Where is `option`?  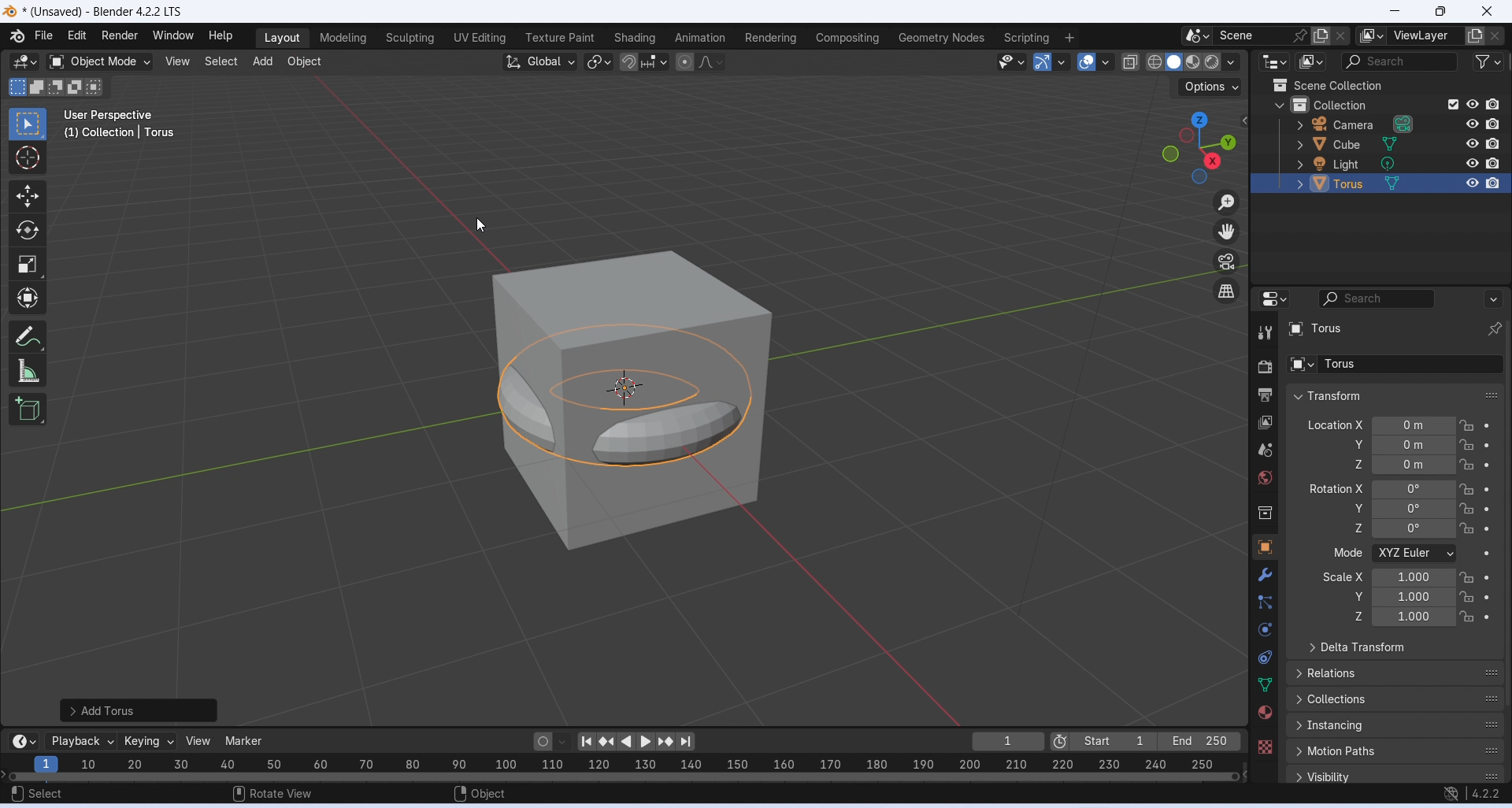 option is located at coordinates (1373, 36).